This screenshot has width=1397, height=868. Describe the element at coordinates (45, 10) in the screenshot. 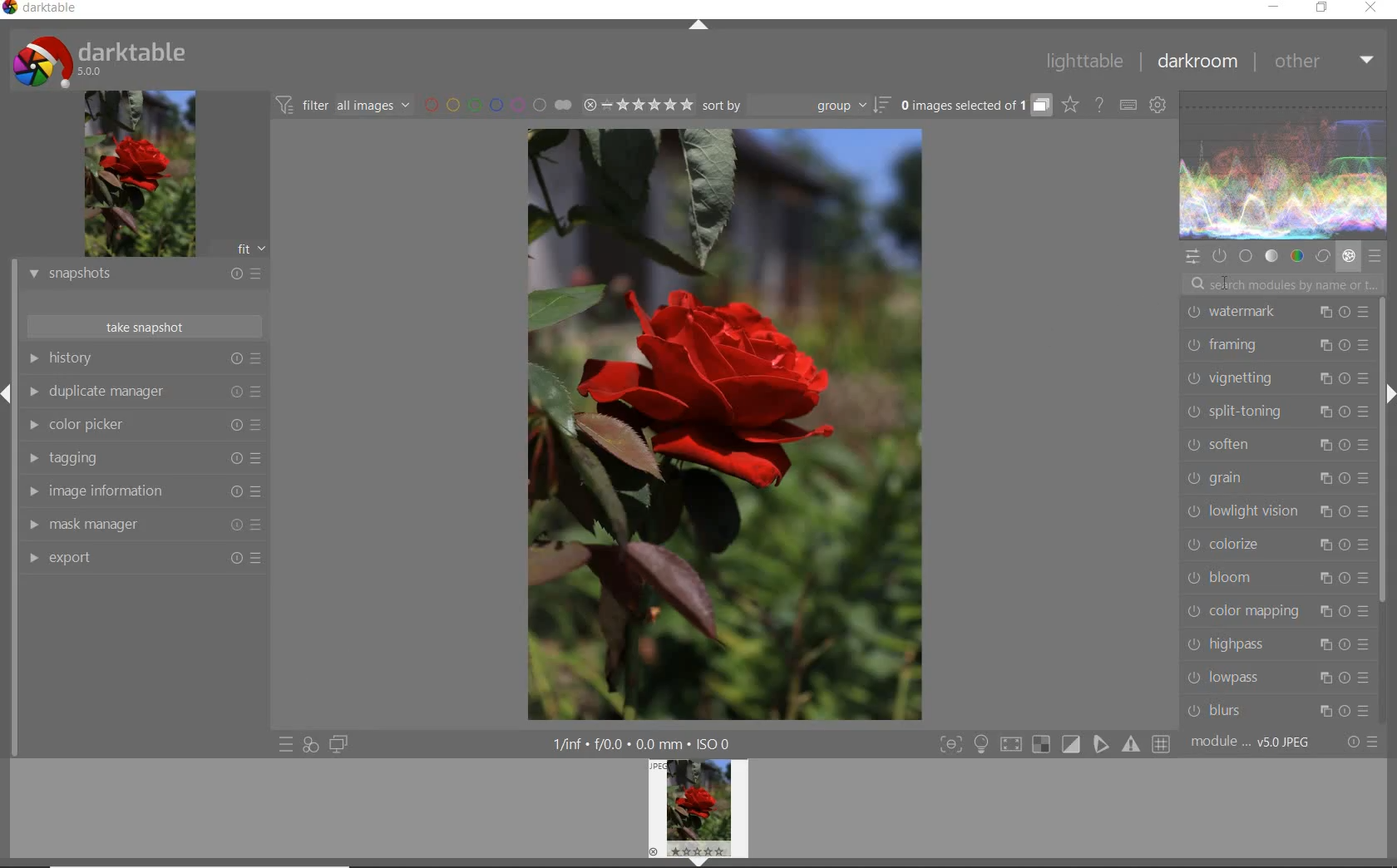

I see `system name` at that location.